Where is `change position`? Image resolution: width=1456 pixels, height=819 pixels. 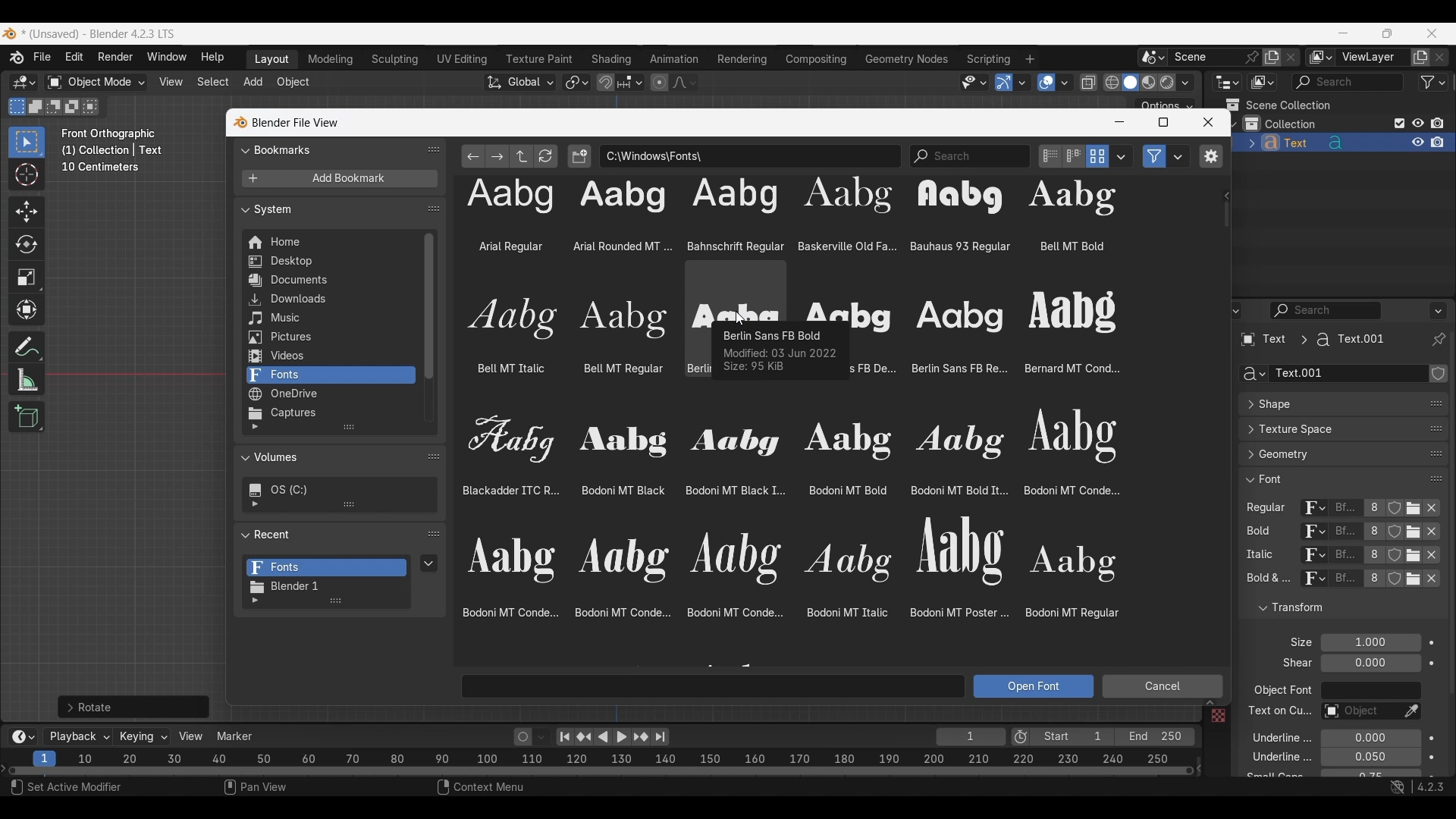
change position is located at coordinates (1434, 455).